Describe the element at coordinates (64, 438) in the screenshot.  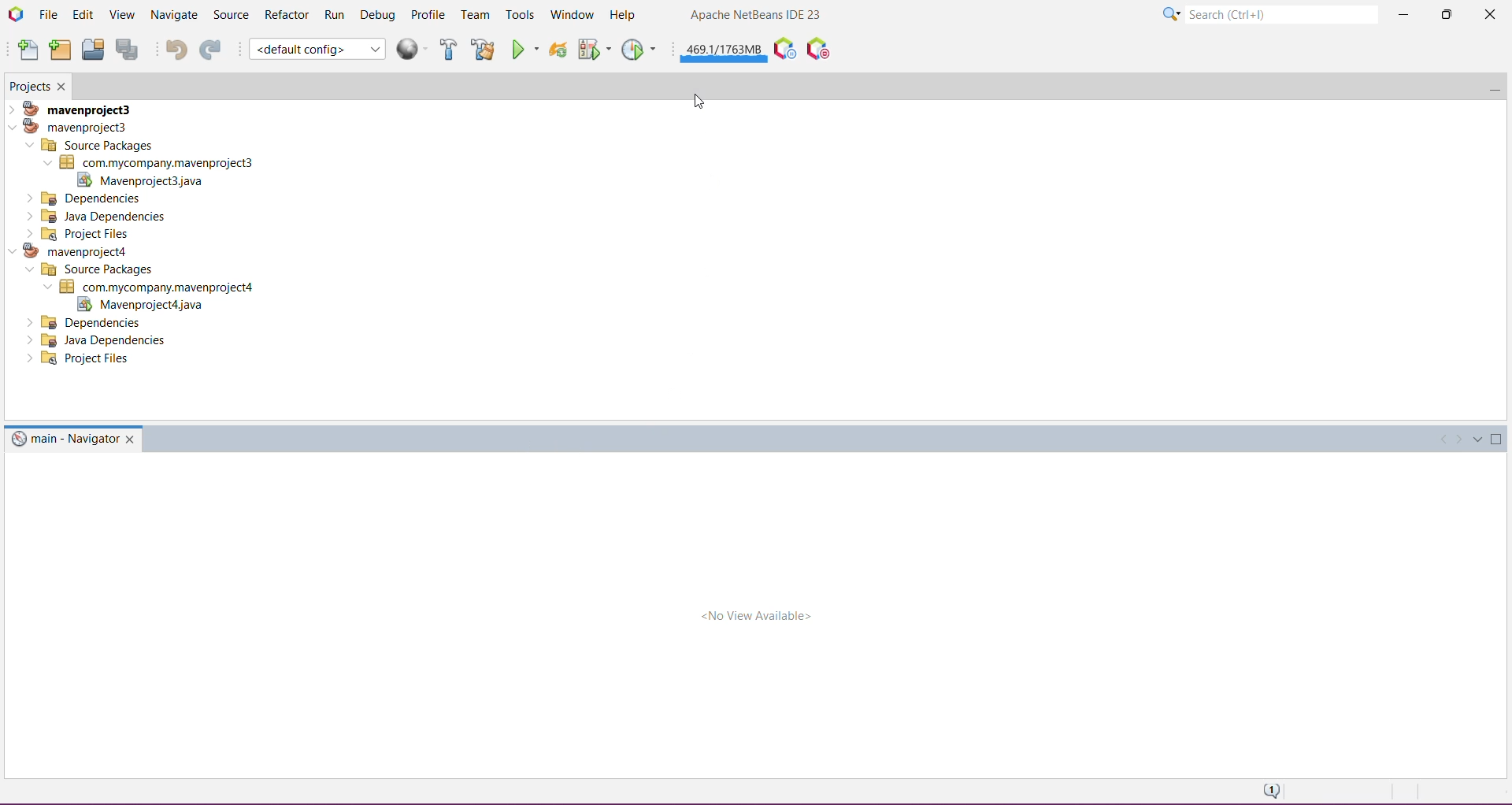
I see `main- Navigator` at that location.